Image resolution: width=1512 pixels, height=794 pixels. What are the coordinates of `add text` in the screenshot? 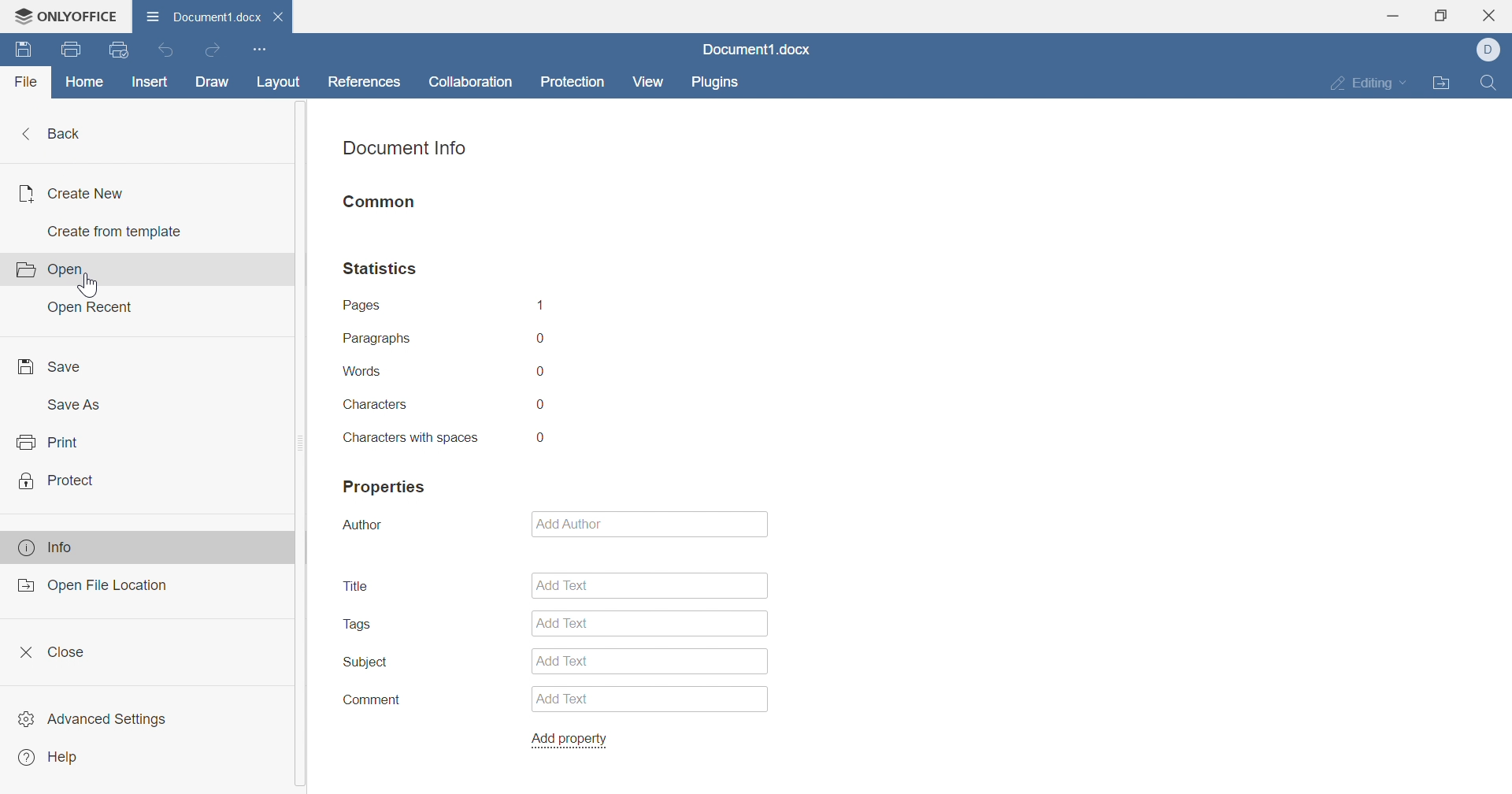 It's located at (565, 623).